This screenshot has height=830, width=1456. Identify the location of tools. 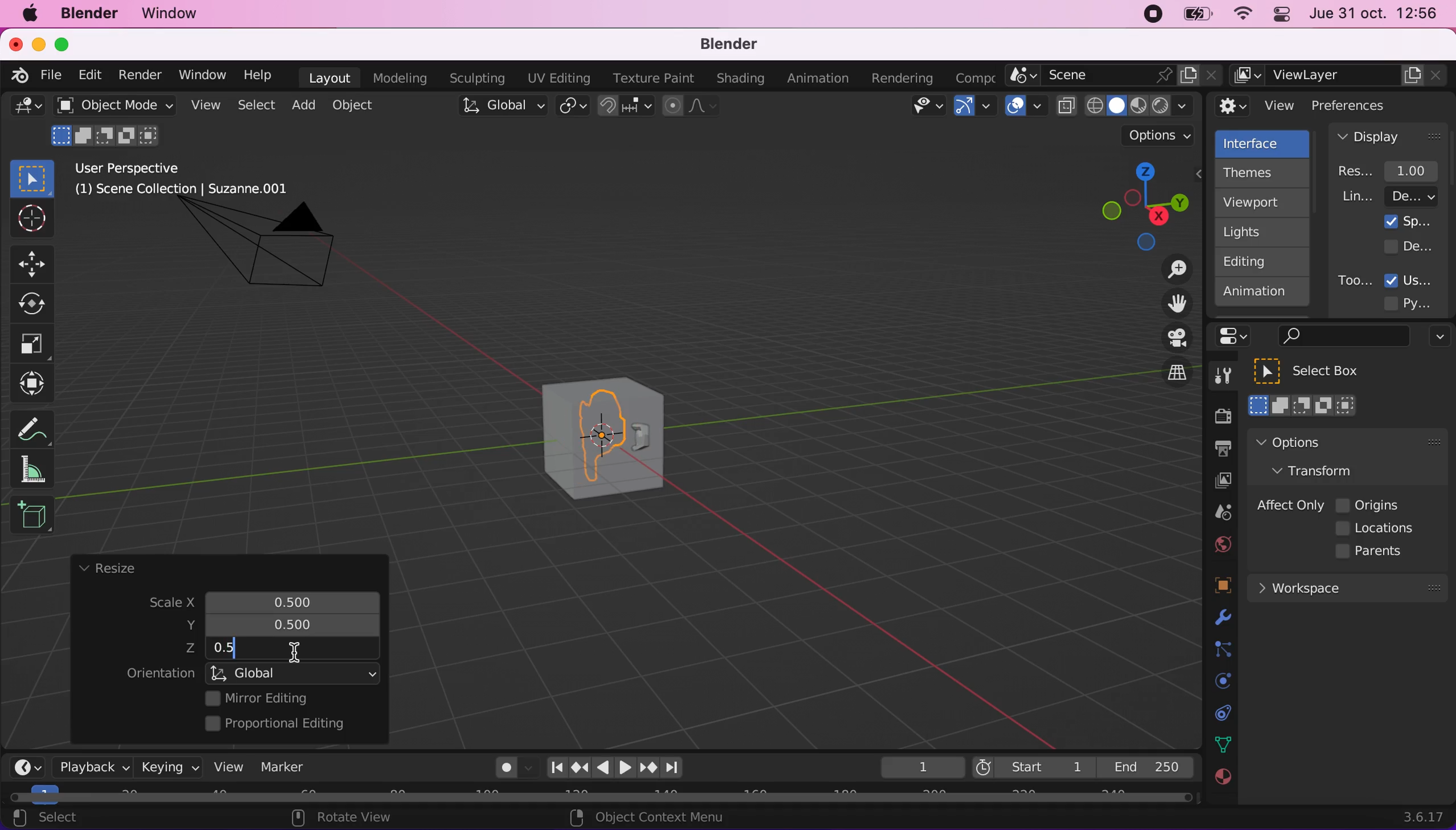
(1217, 379).